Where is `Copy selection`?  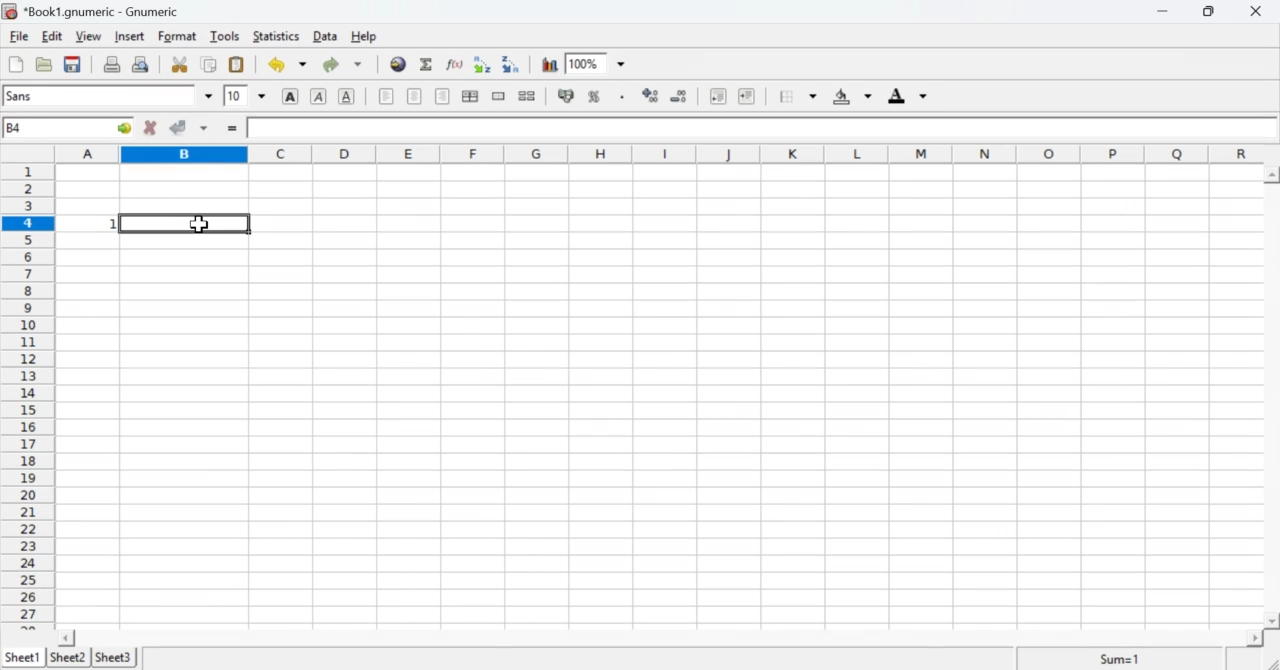 Copy selection is located at coordinates (209, 63).